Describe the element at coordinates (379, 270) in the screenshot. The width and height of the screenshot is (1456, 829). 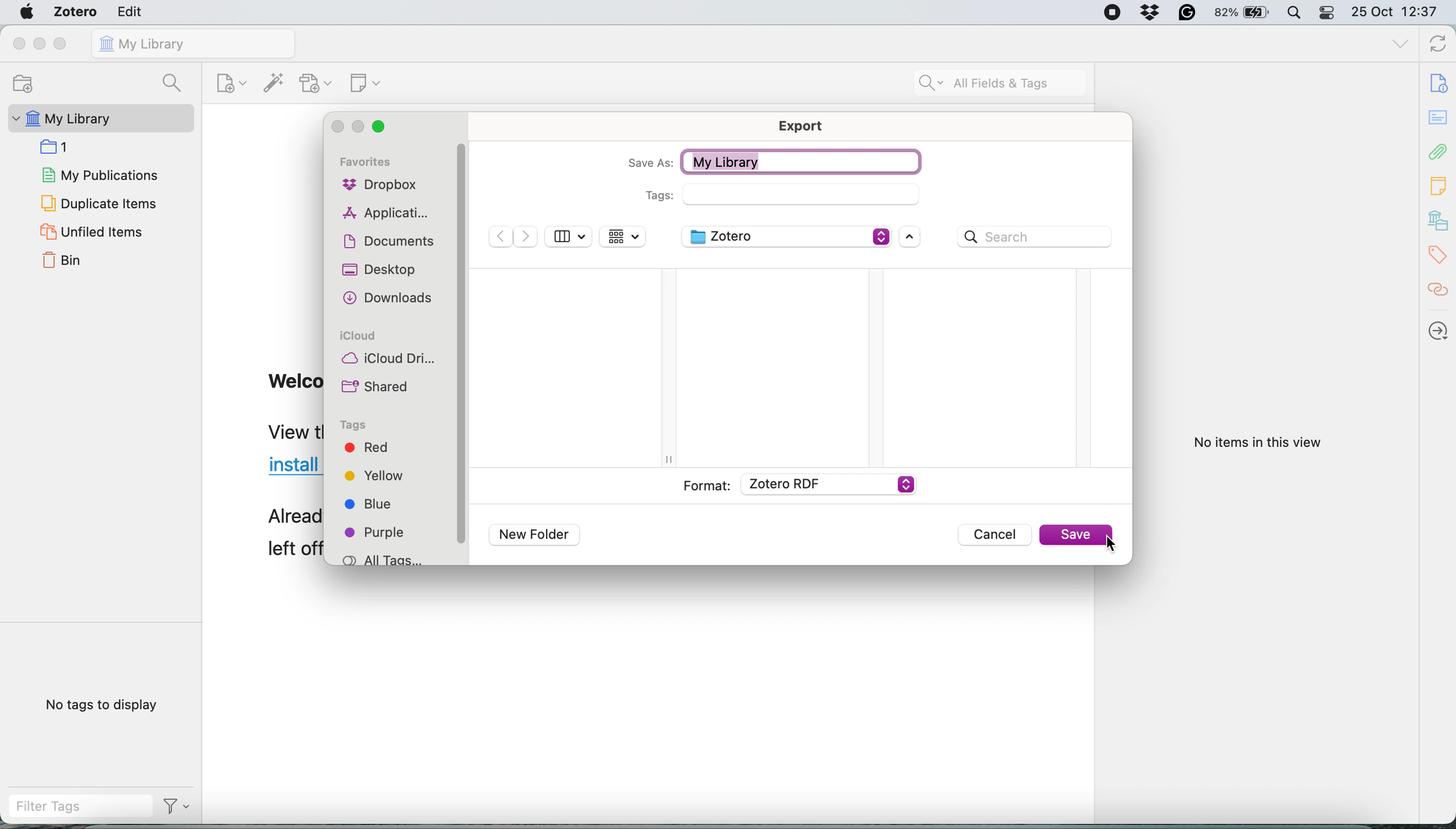
I see `Desktop` at that location.